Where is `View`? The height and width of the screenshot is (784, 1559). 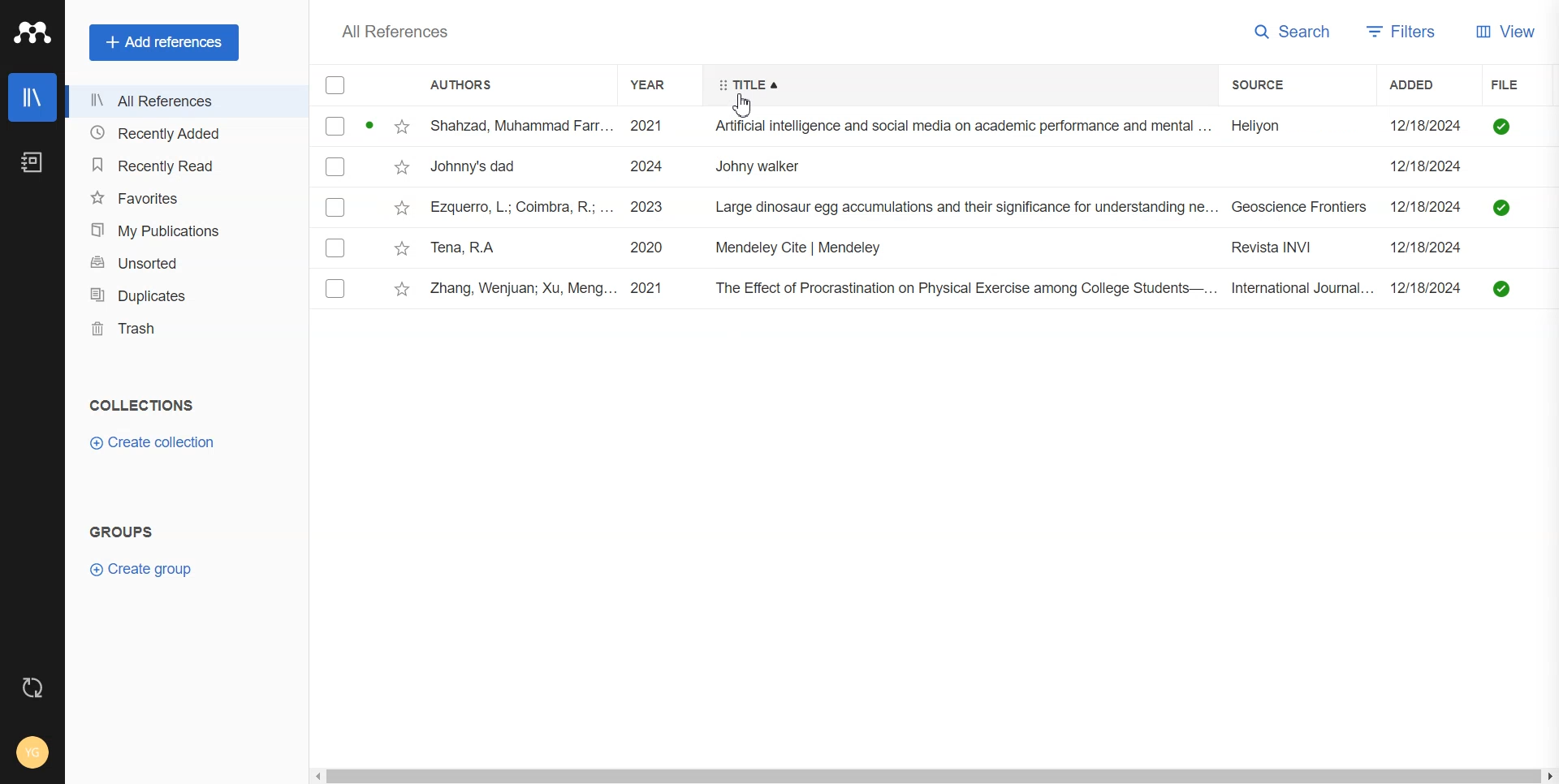
View is located at coordinates (1509, 31).